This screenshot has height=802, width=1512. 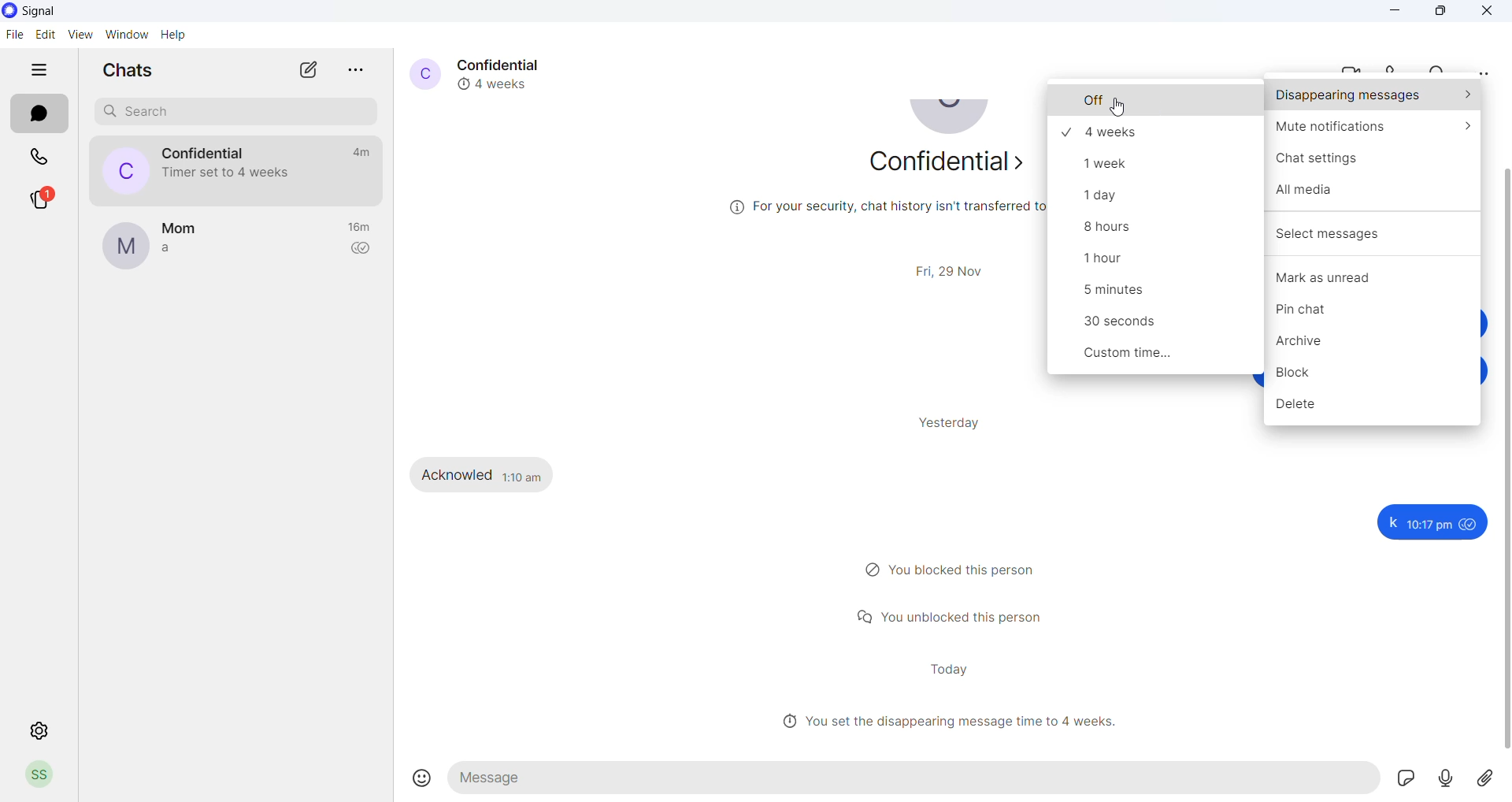 What do you see at coordinates (1161, 357) in the screenshot?
I see `disappearing messages timeframe` at bounding box center [1161, 357].